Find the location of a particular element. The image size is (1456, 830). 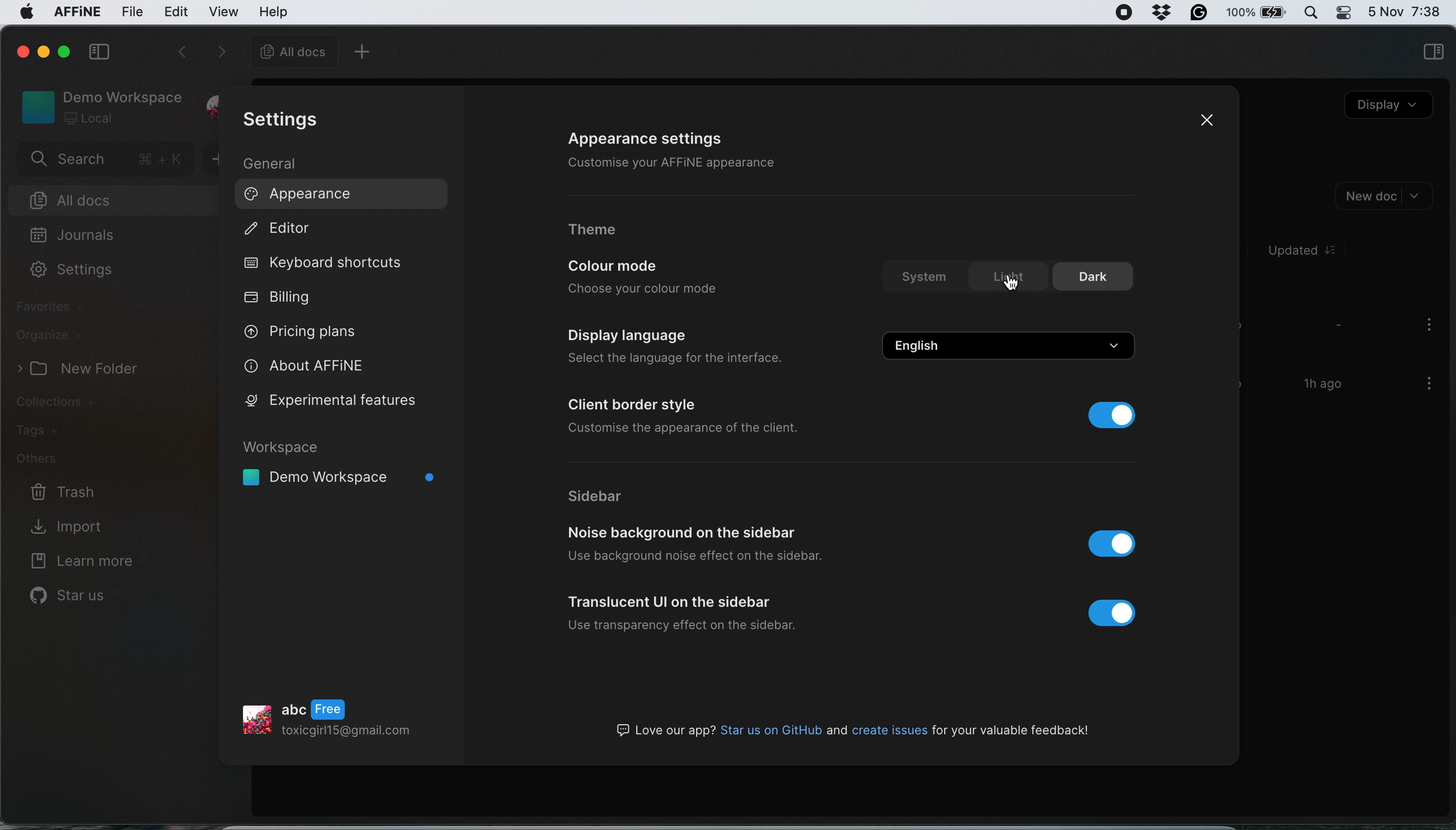

help is located at coordinates (274, 11).